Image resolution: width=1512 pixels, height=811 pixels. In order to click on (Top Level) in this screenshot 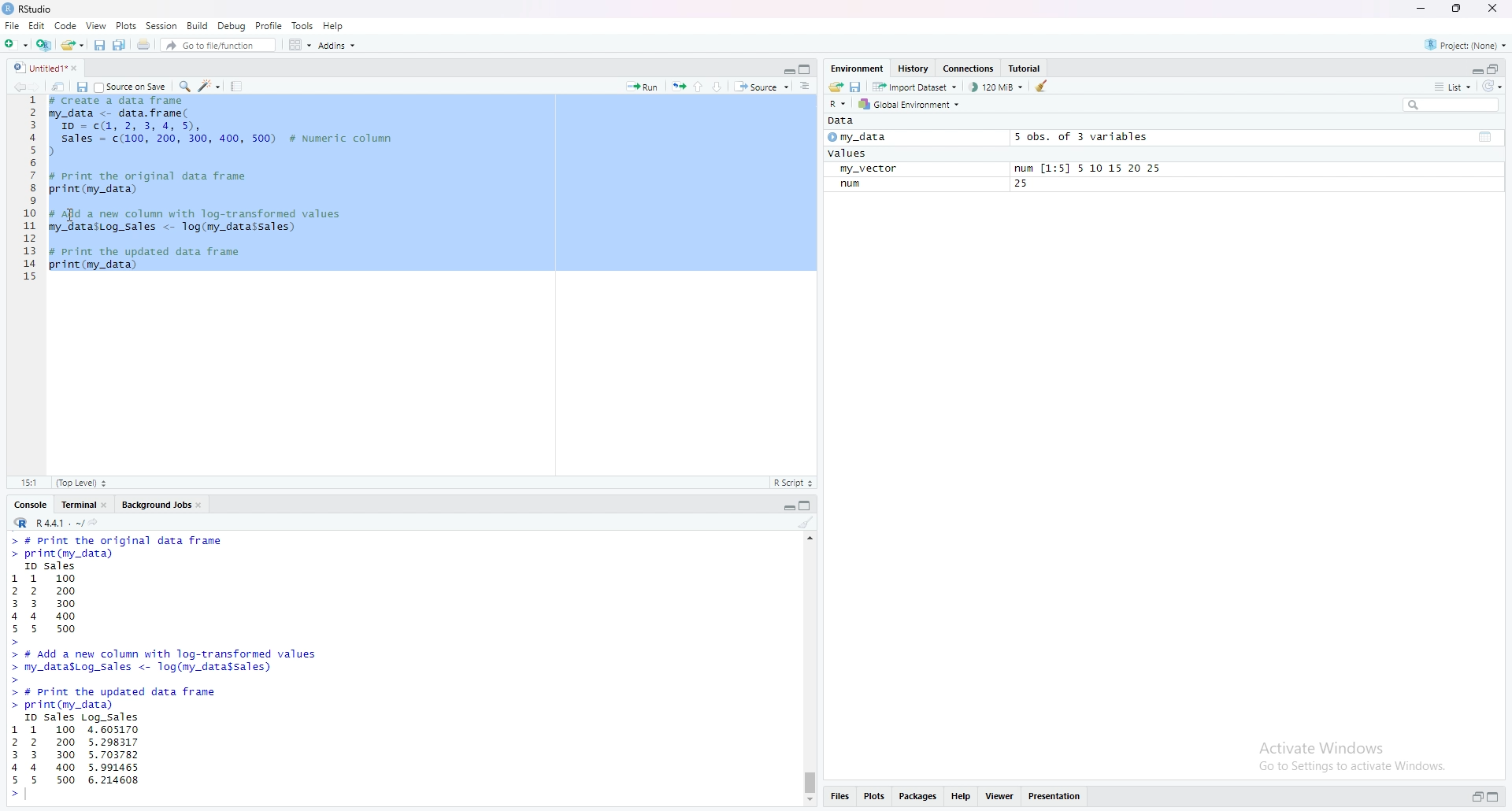, I will do `click(83, 483)`.